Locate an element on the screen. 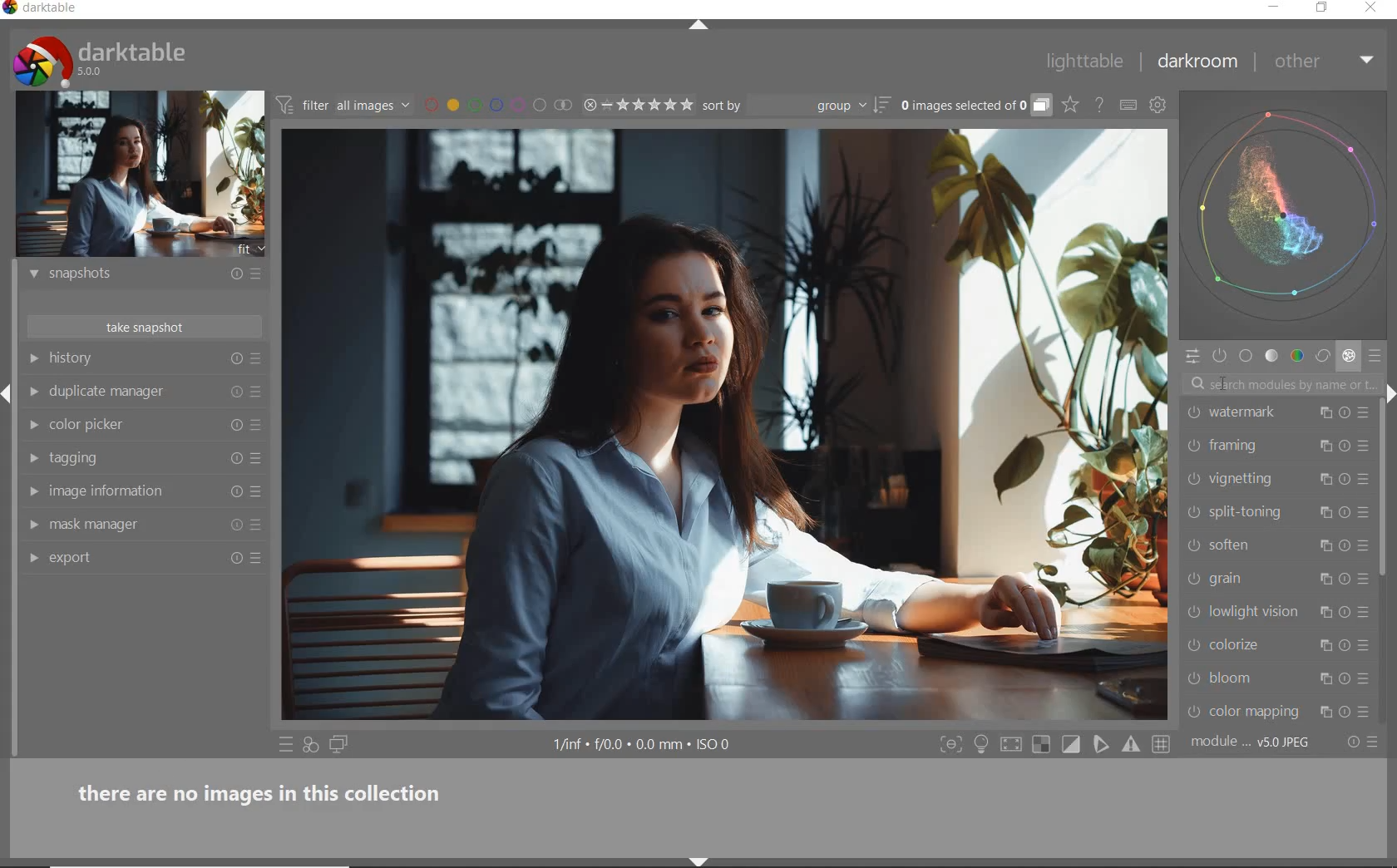 The image size is (1397, 868). 'framing' is switched off is located at coordinates (1193, 446).